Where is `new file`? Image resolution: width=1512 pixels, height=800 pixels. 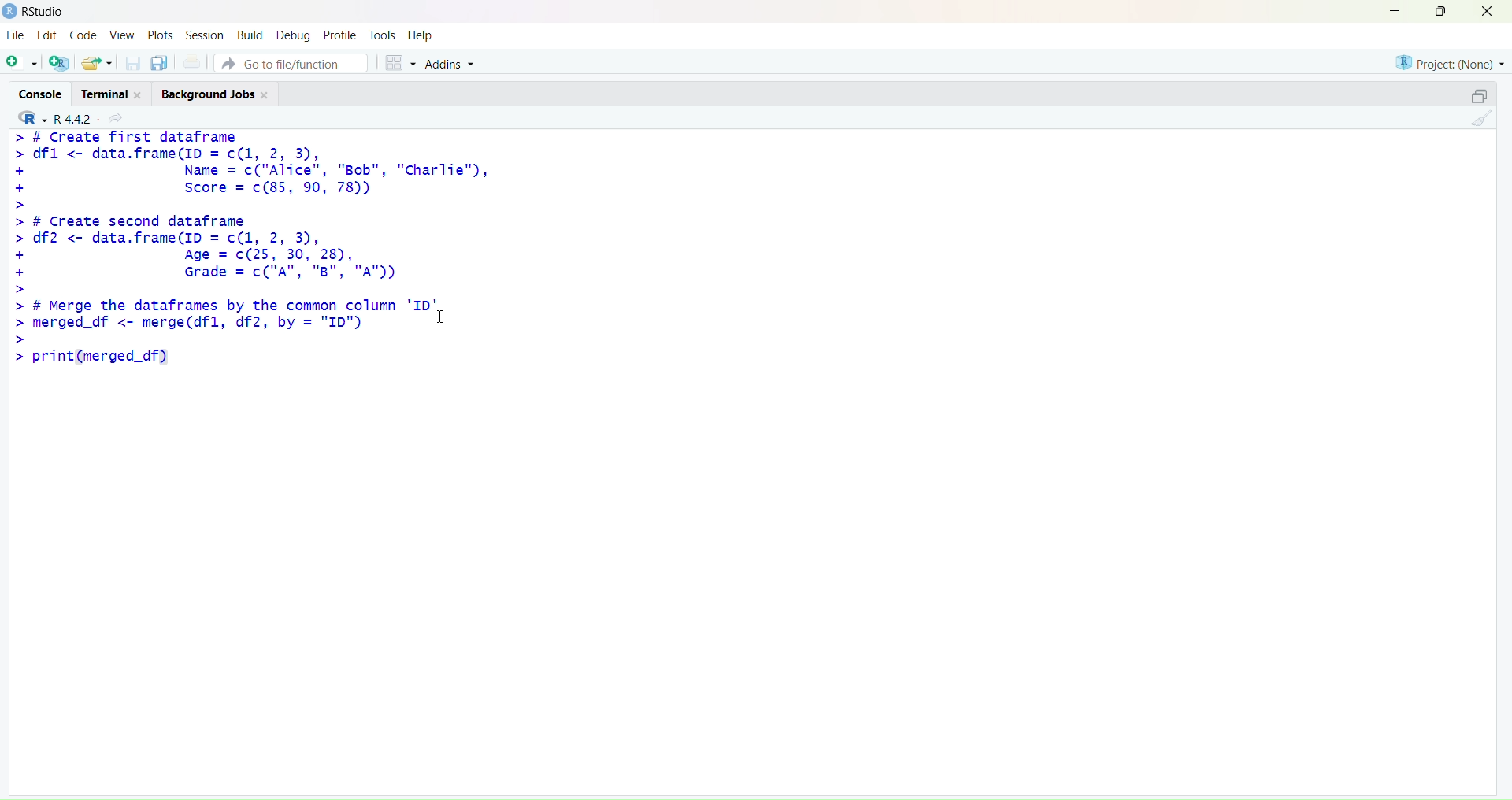 new file is located at coordinates (20, 61).